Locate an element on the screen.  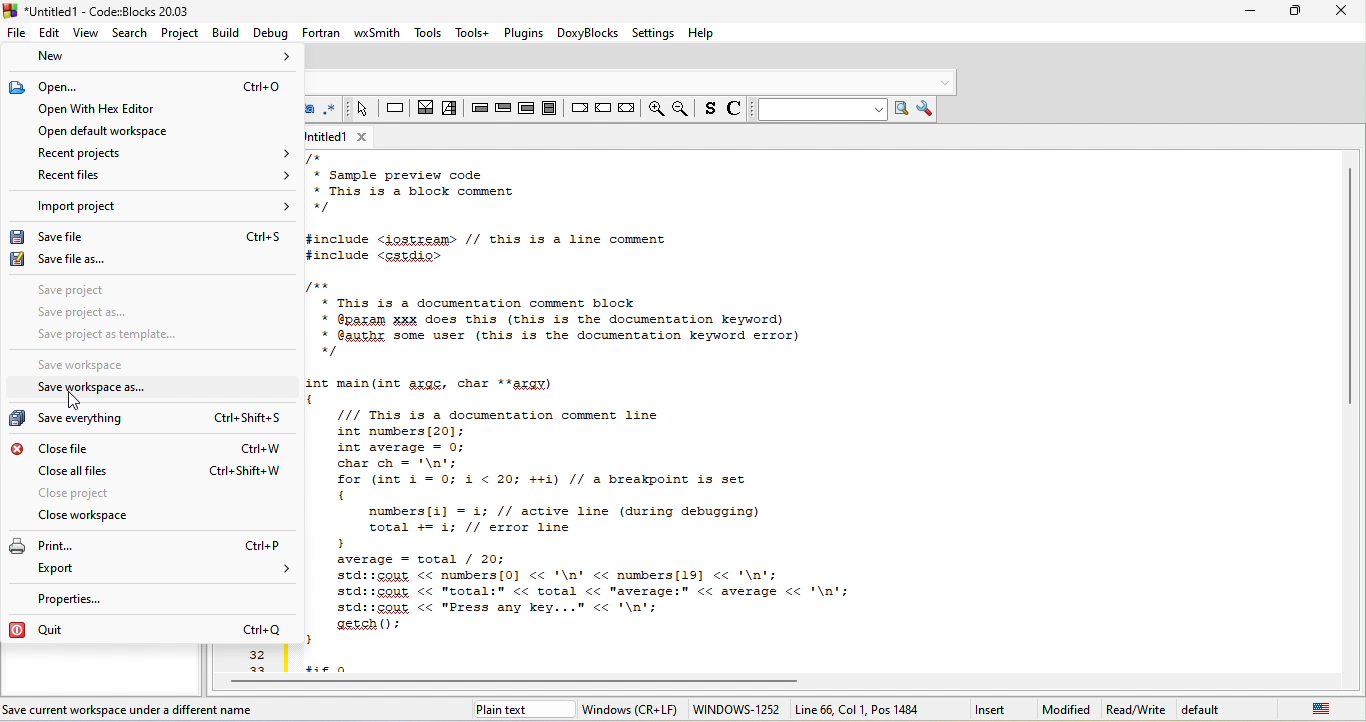
export is located at coordinates (164, 571).